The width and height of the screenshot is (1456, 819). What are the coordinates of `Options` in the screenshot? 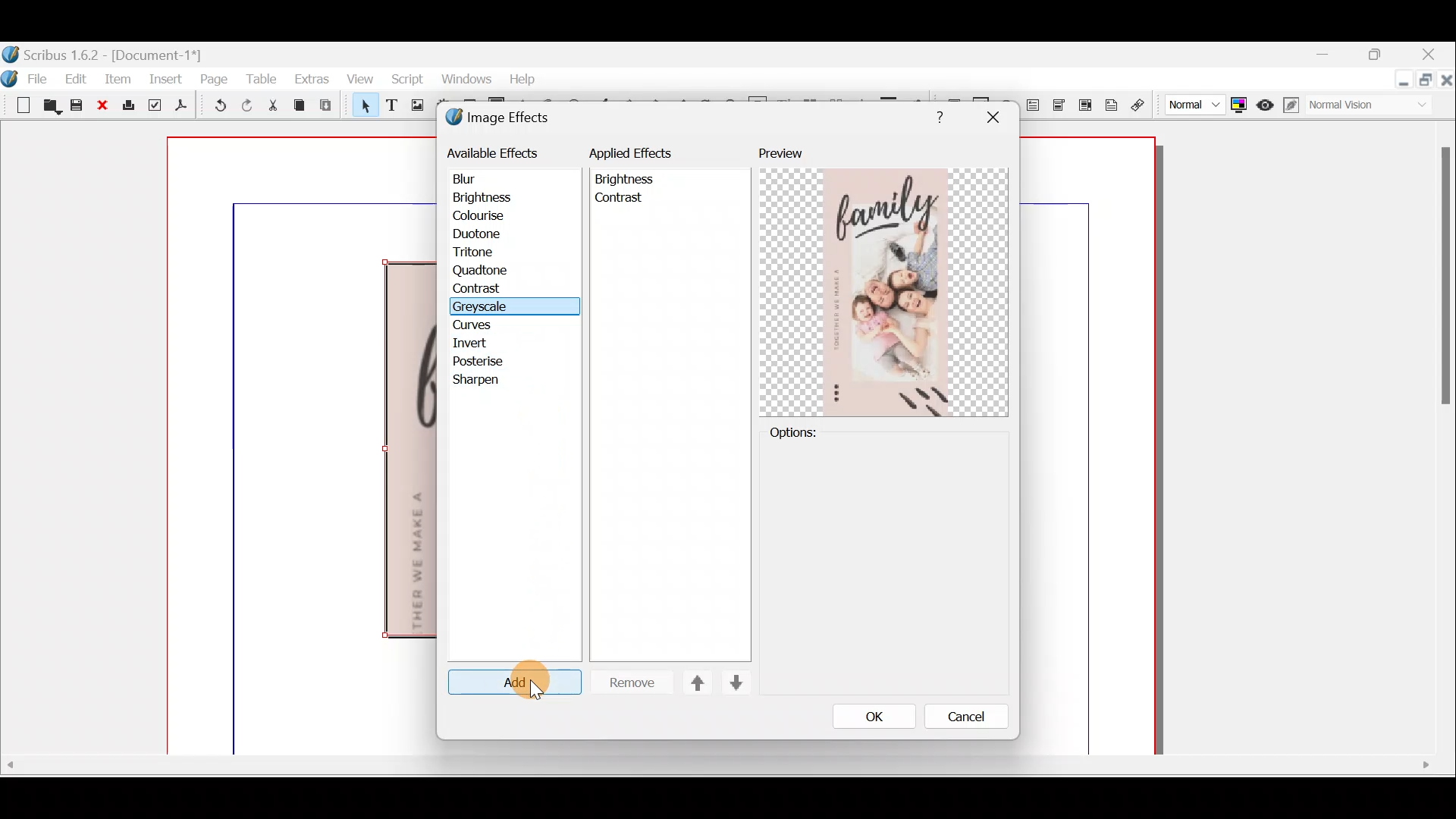 It's located at (885, 562).